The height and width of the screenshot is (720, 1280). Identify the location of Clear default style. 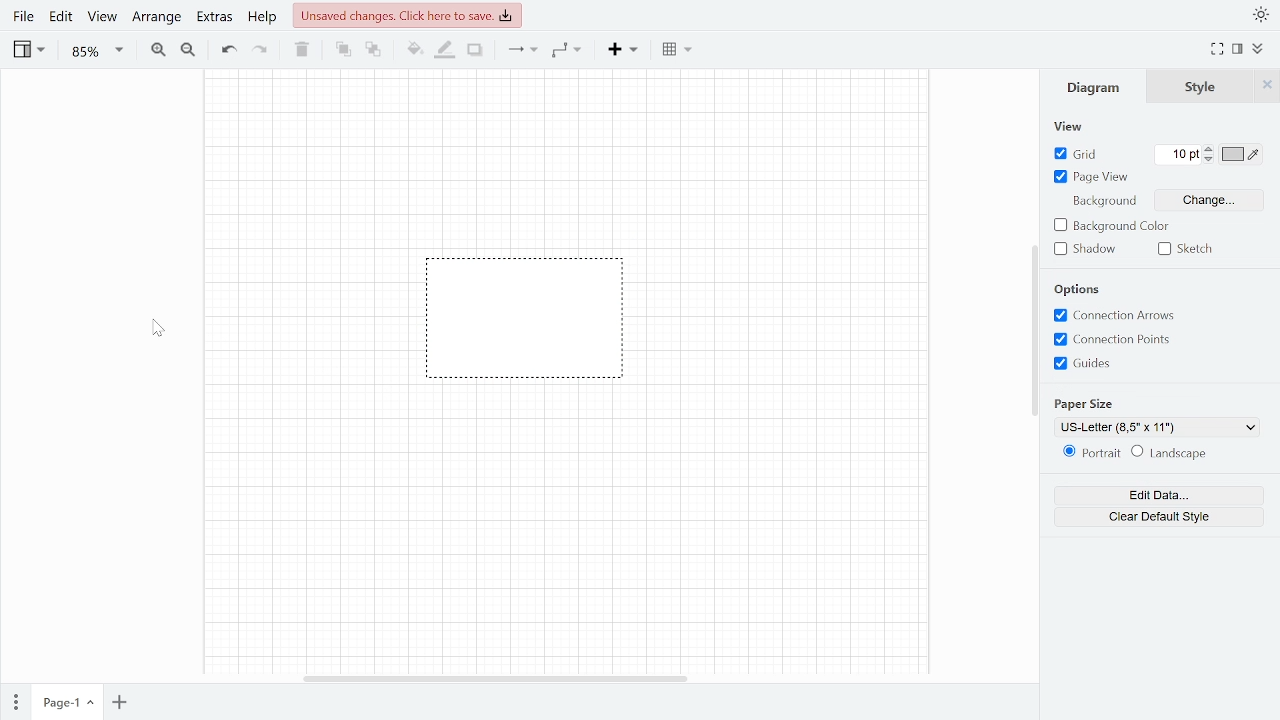
(1154, 516).